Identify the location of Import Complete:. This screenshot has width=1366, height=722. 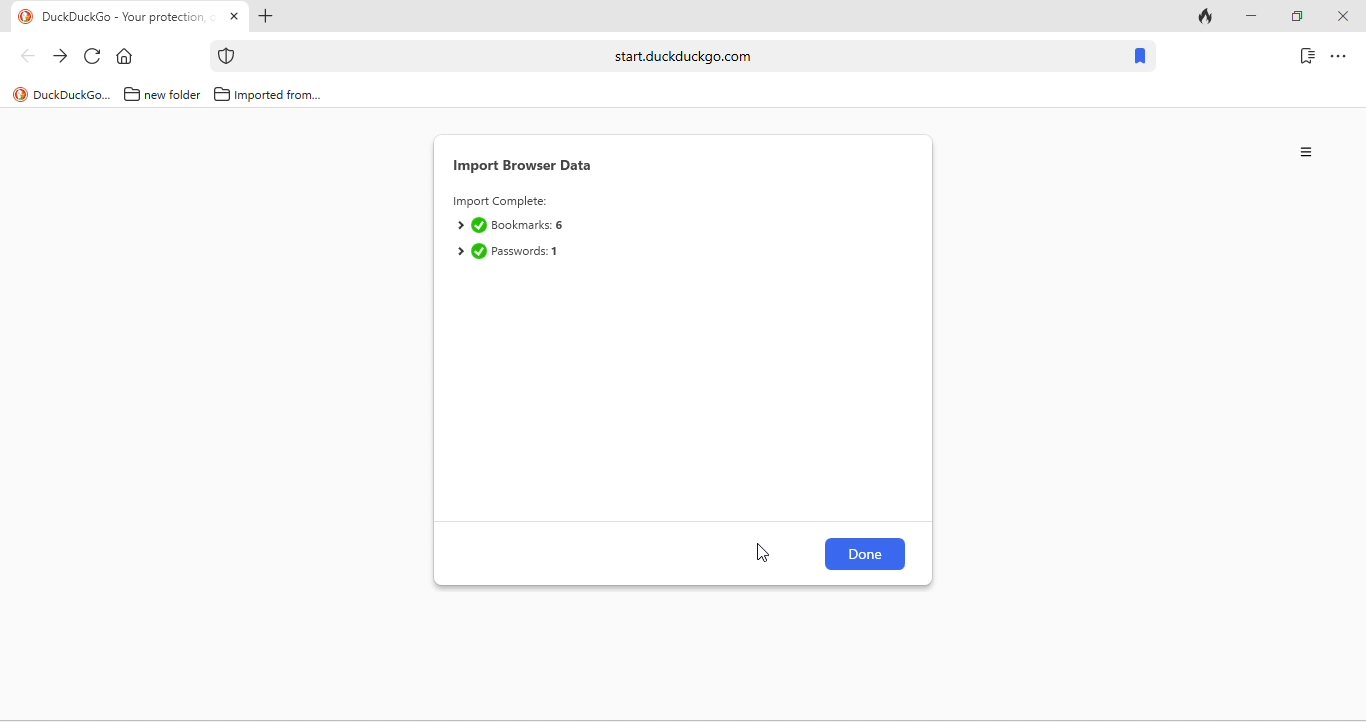
(500, 203).